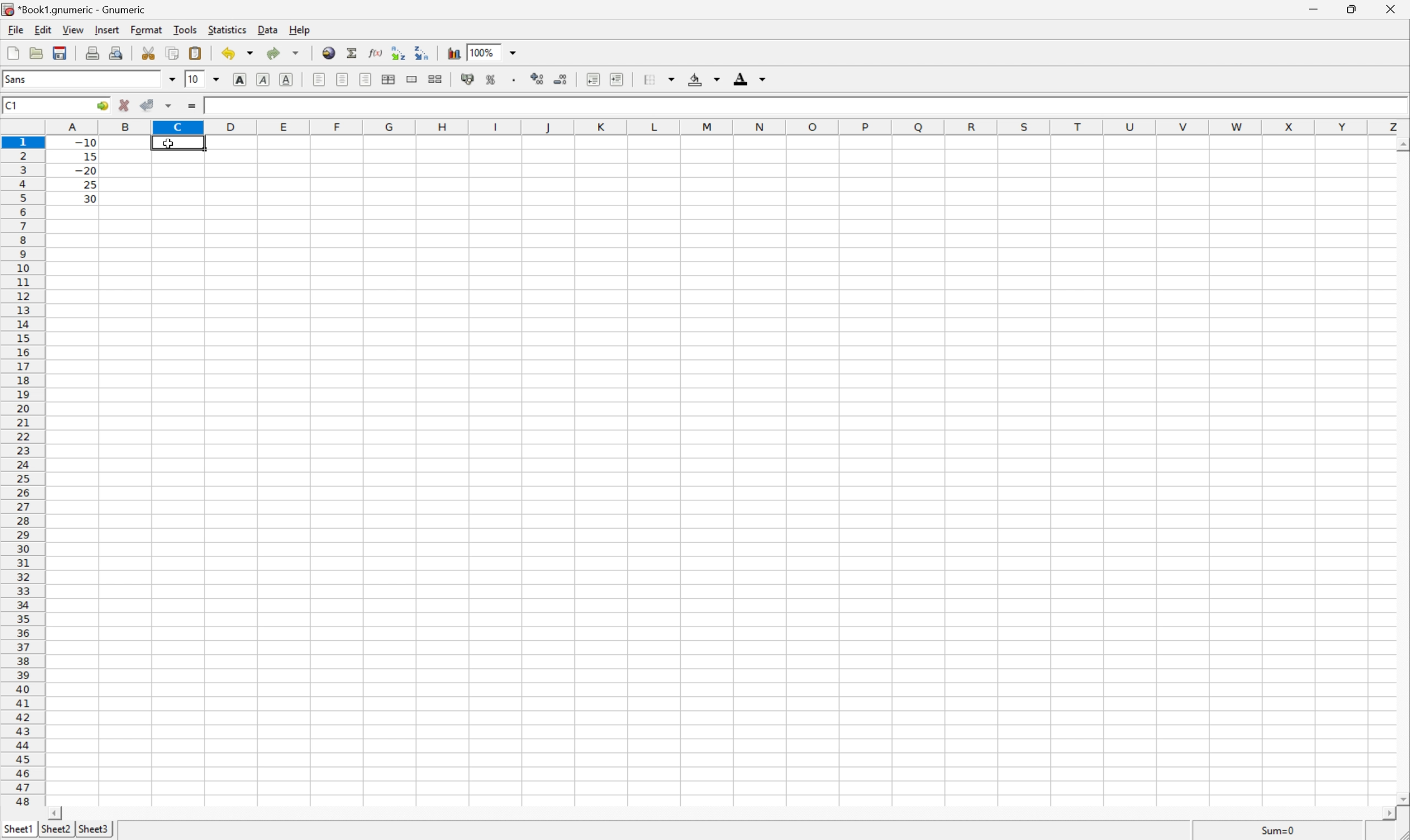  What do you see at coordinates (375, 52) in the screenshot?
I see `Edit a function in current cell` at bounding box center [375, 52].